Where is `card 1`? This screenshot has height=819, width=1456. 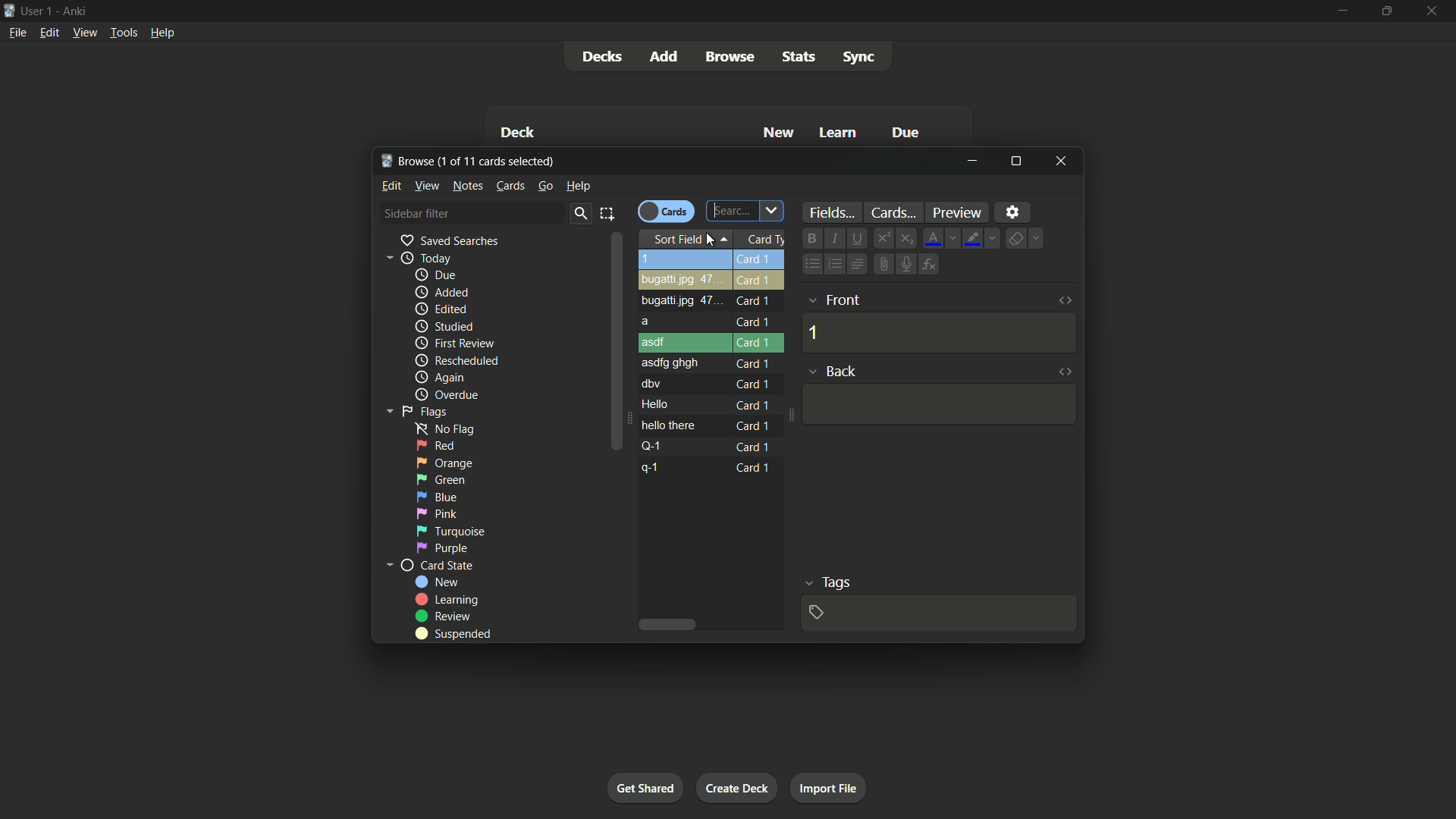
card 1 is located at coordinates (750, 405).